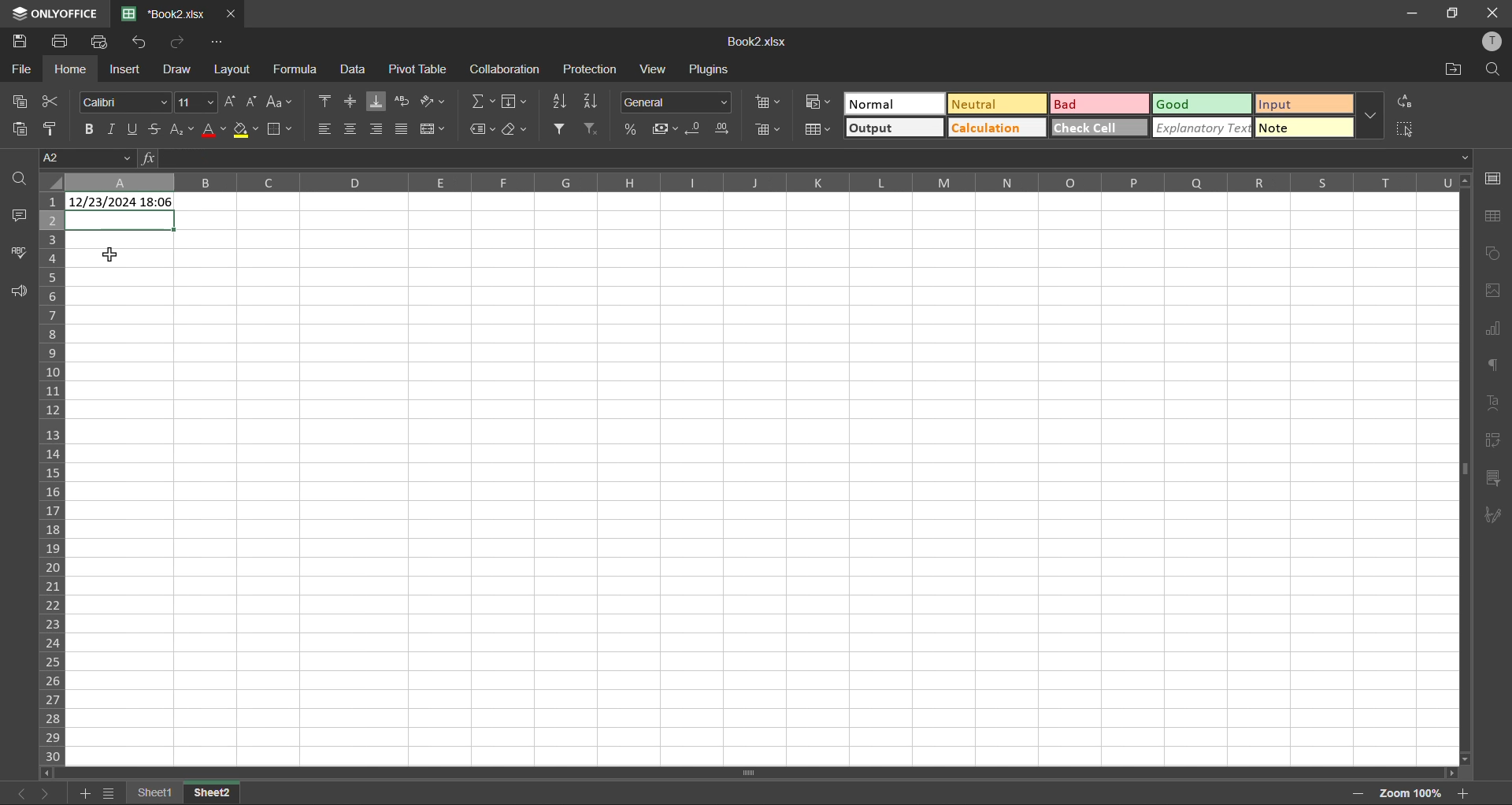  I want to click on fill color, so click(247, 129).